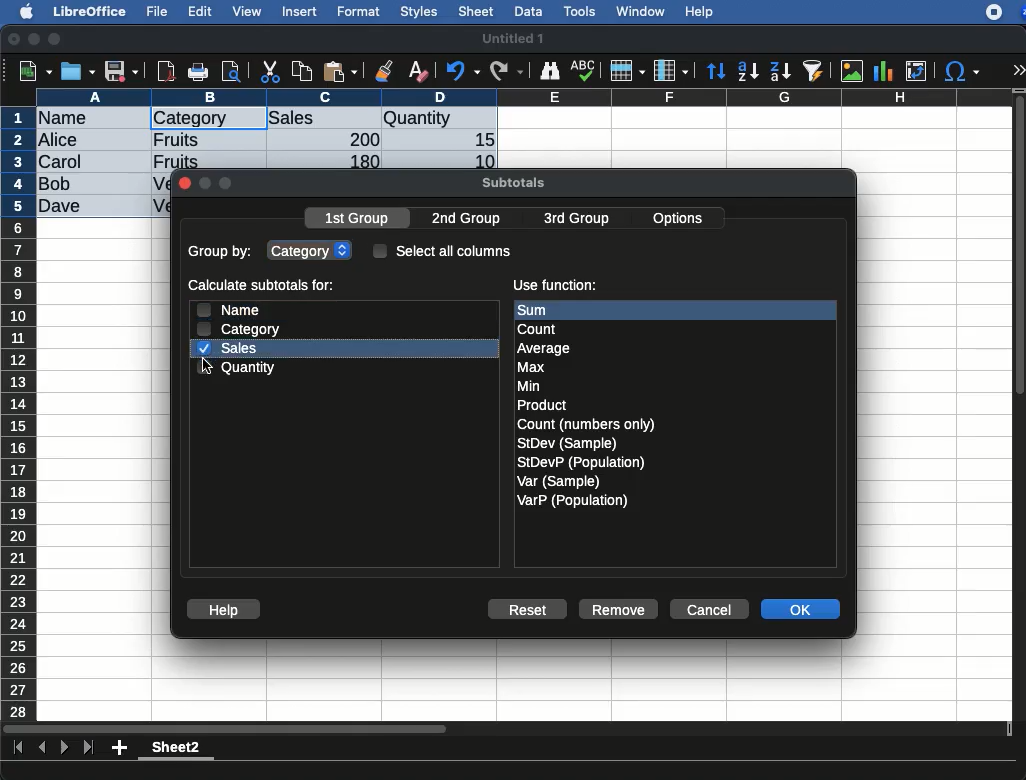 The height and width of the screenshot is (780, 1026). I want to click on column, so click(671, 72).